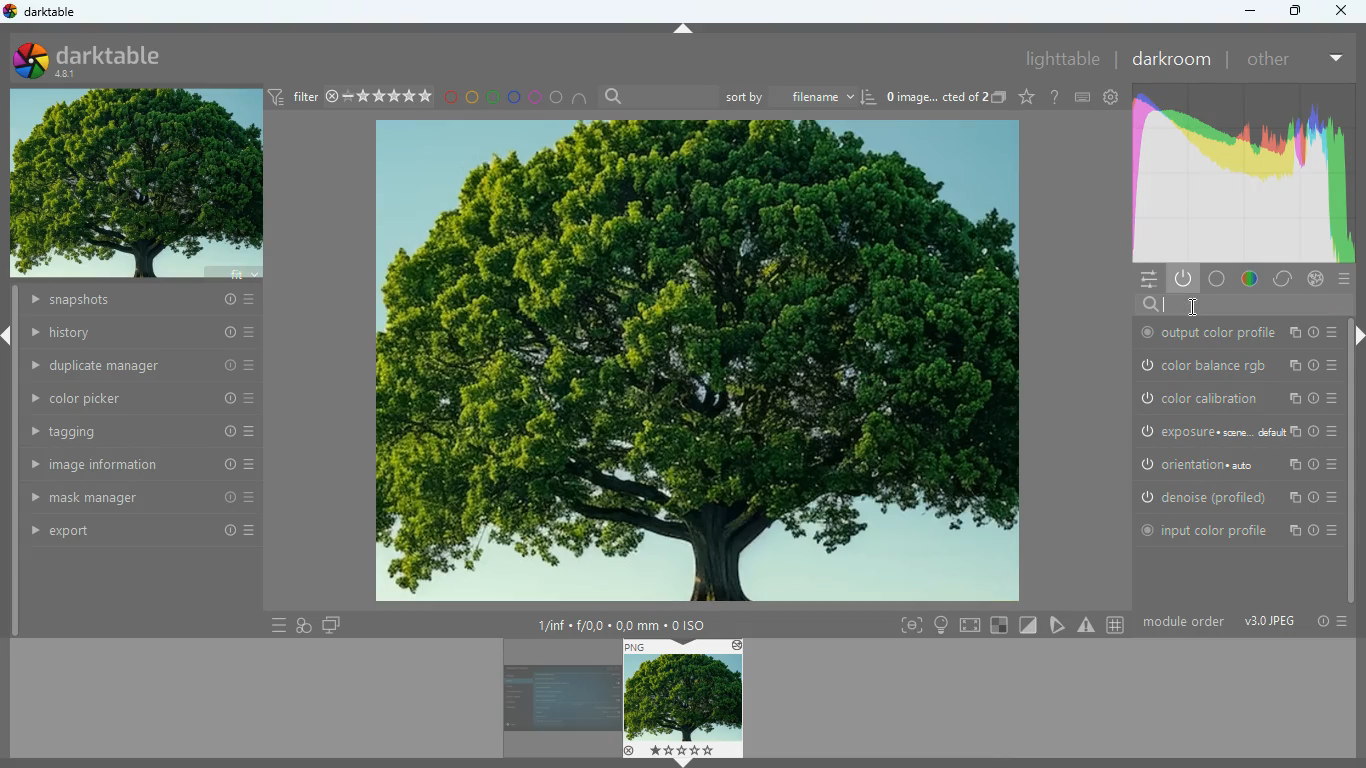 This screenshot has height=768, width=1366. Describe the element at coordinates (937, 97) in the screenshot. I see `image name` at that location.